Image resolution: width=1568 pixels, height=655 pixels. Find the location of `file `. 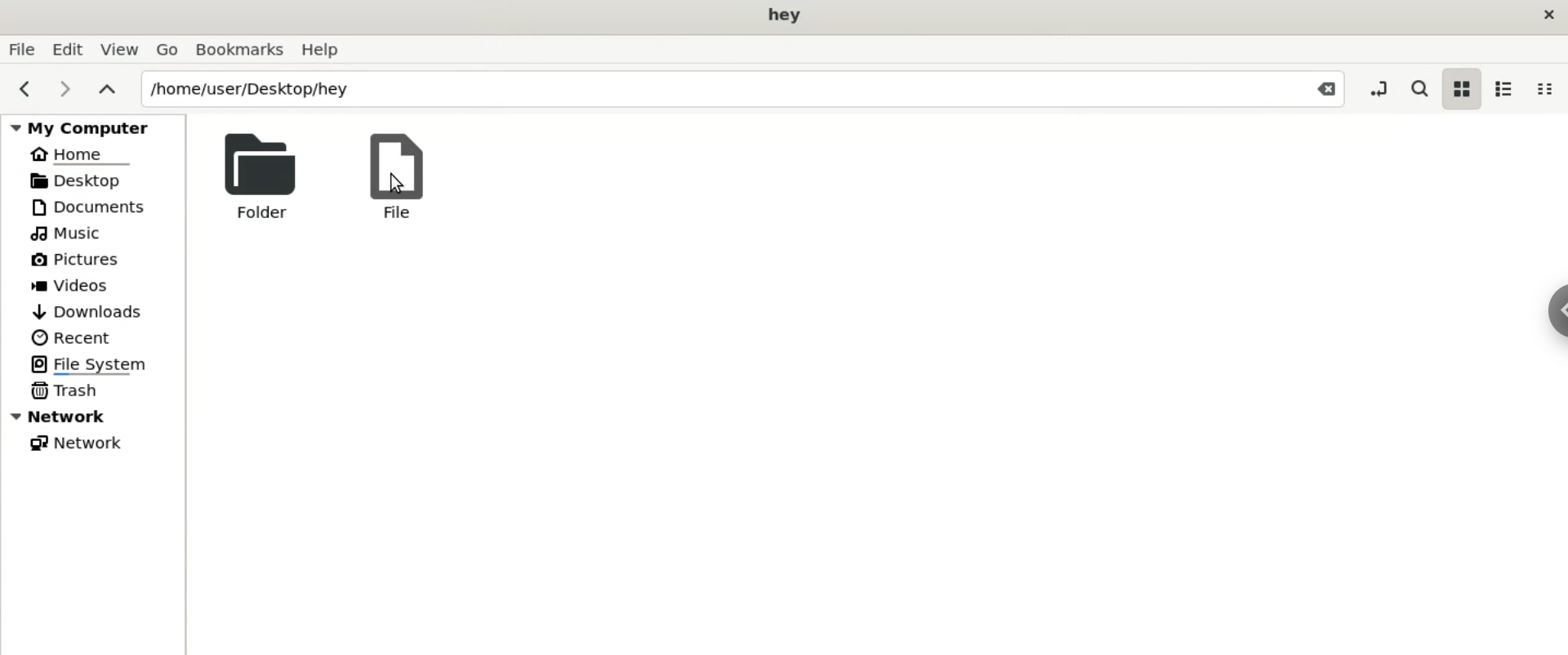

file  is located at coordinates (20, 50).